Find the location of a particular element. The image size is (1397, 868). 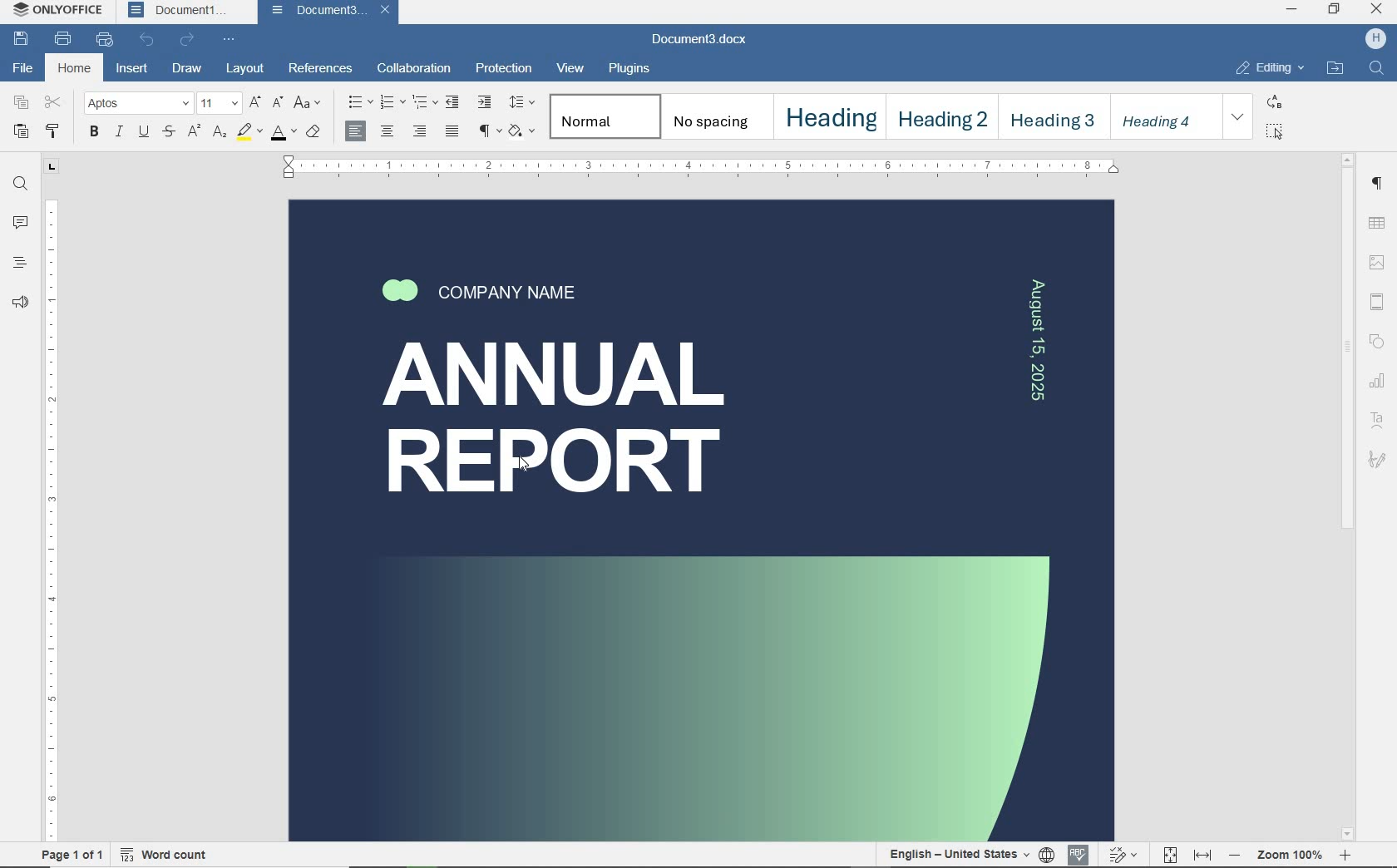

 is located at coordinates (1123, 856).